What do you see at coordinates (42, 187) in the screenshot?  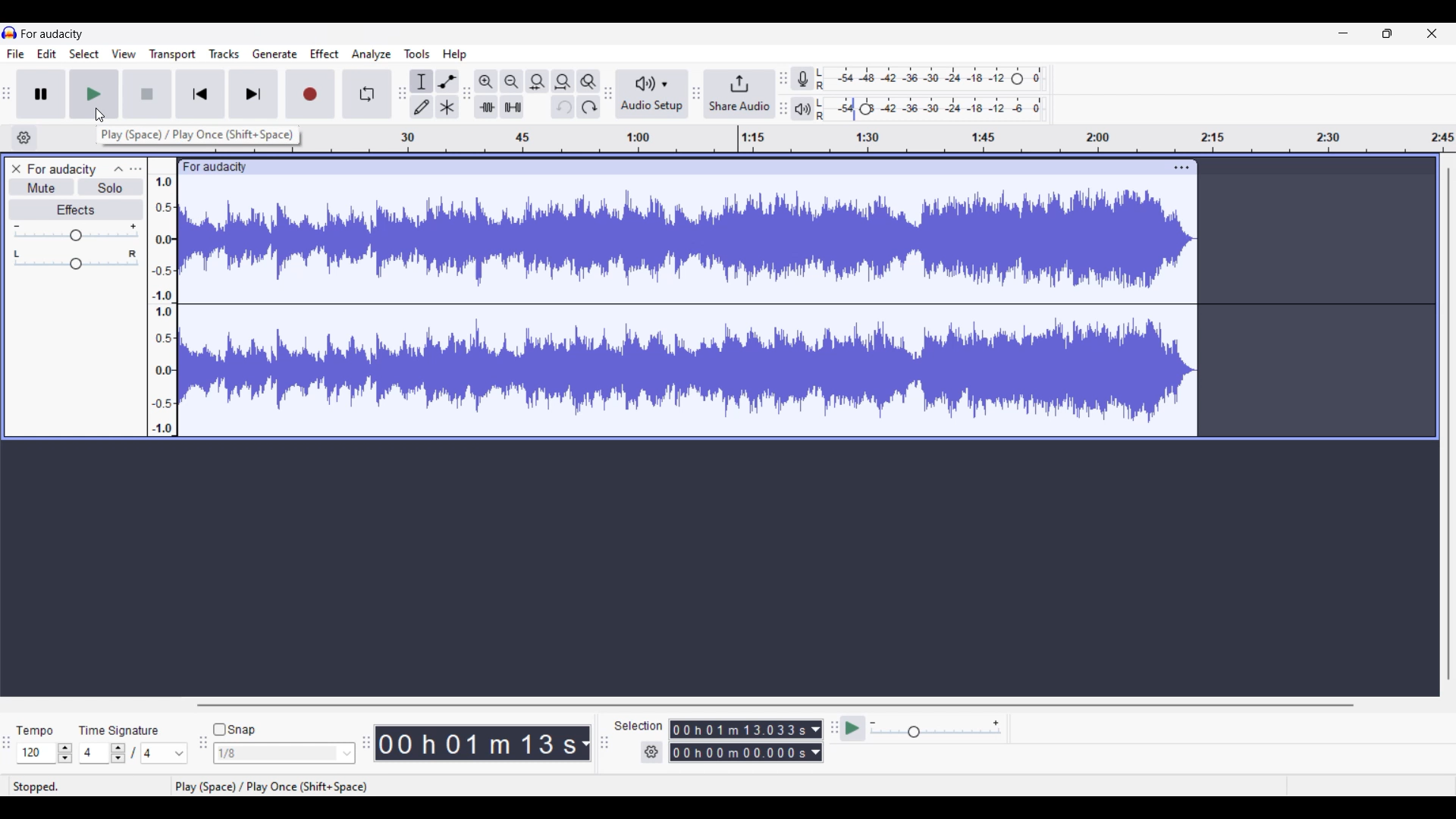 I see `Mute` at bounding box center [42, 187].